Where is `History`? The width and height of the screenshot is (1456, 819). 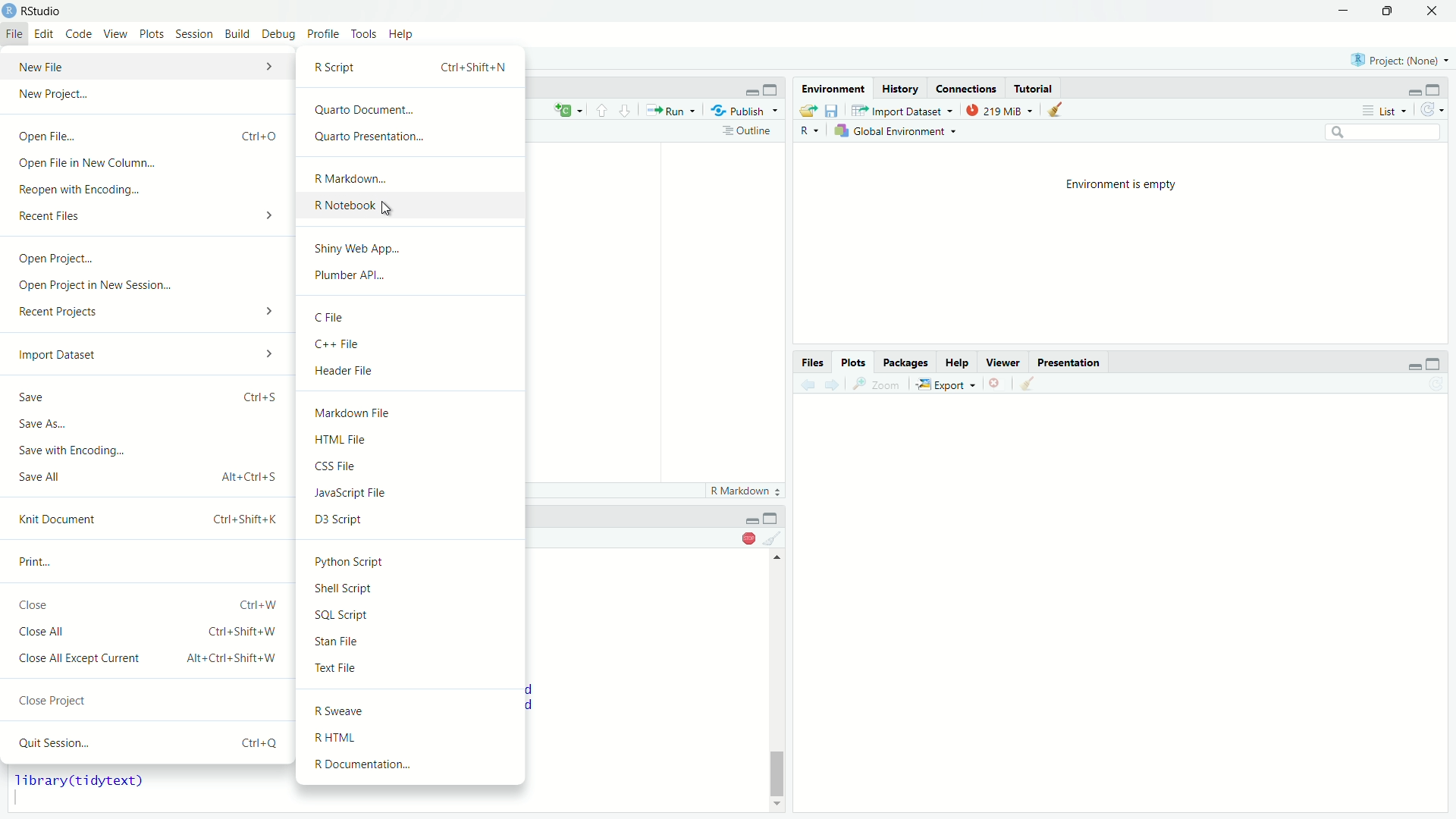
History is located at coordinates (899, 87).